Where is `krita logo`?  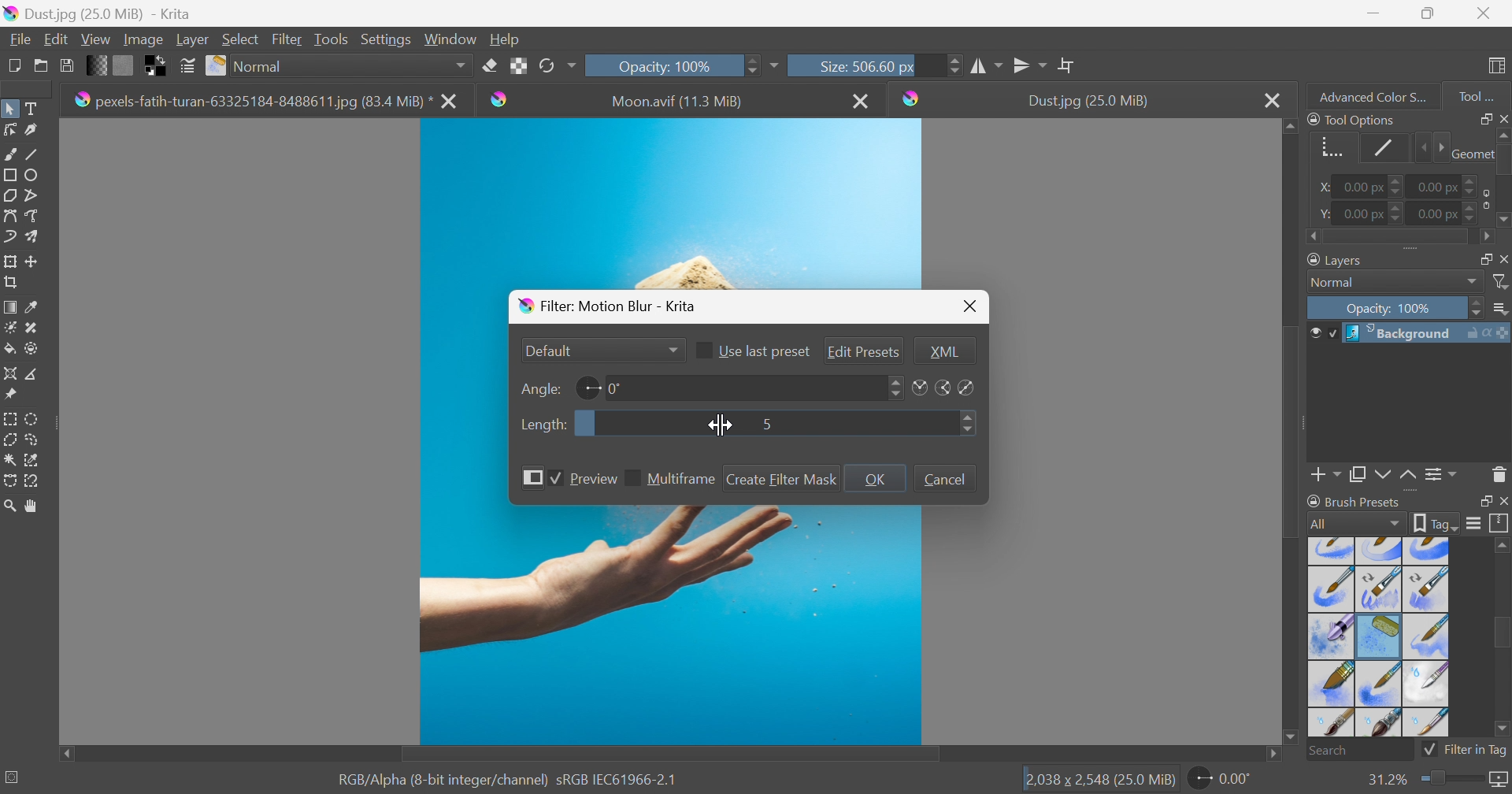 krita logo is located at coordinates (500, 99).